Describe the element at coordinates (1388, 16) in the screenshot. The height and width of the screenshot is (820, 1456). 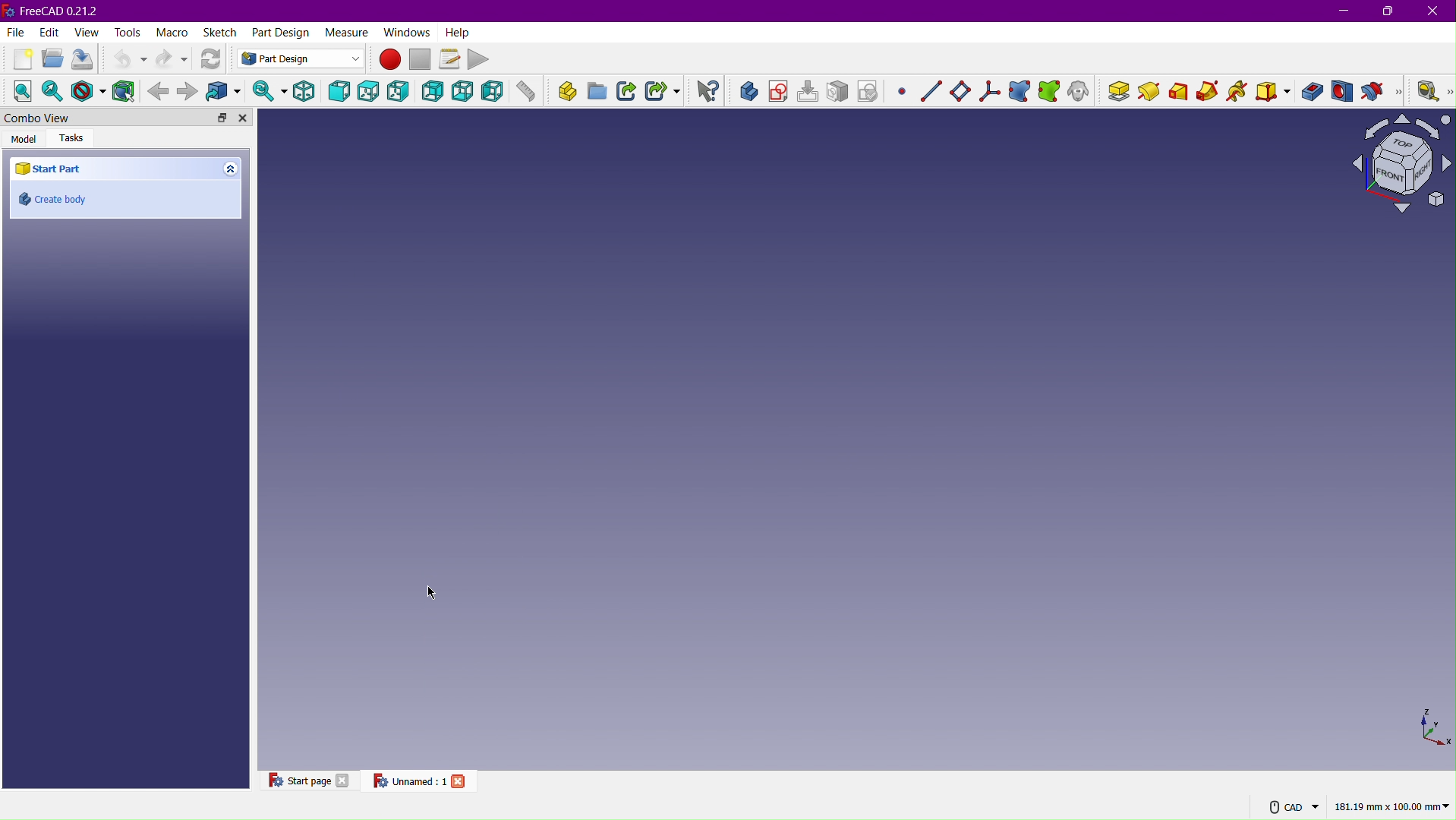
I see `Maximize/restore` at that location.